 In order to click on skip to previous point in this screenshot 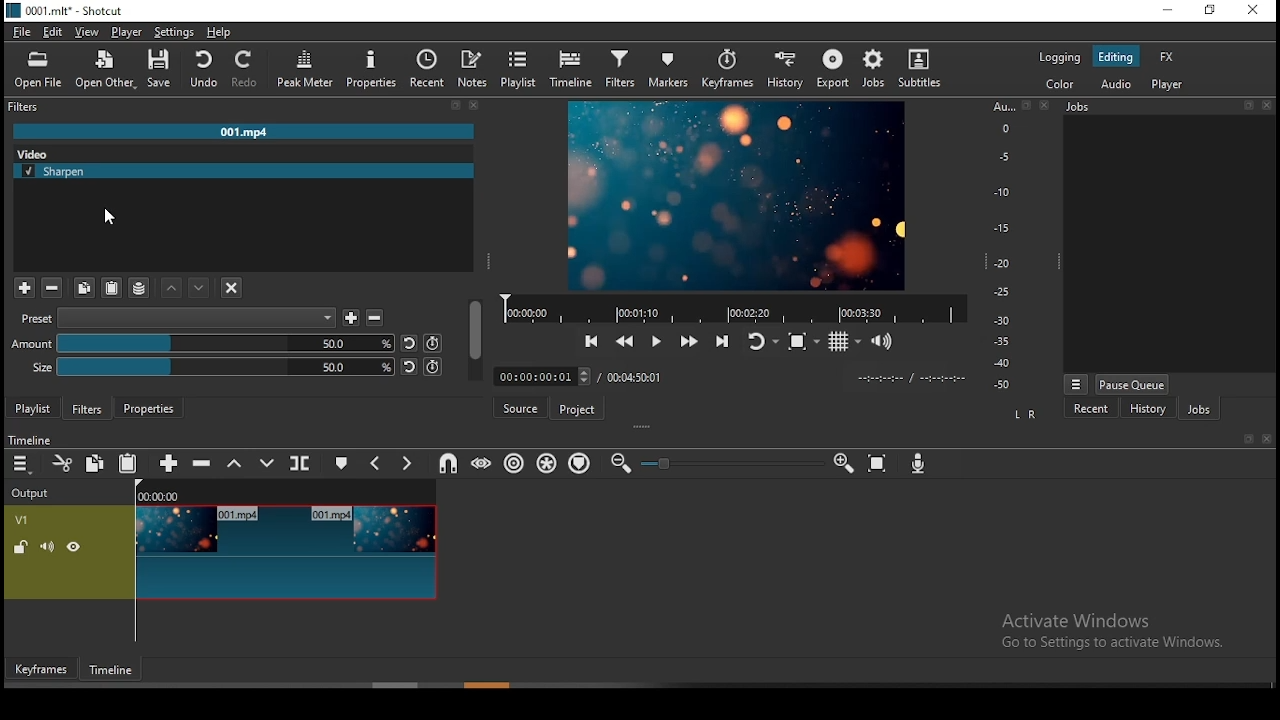, I will do `click(593, 338)`.